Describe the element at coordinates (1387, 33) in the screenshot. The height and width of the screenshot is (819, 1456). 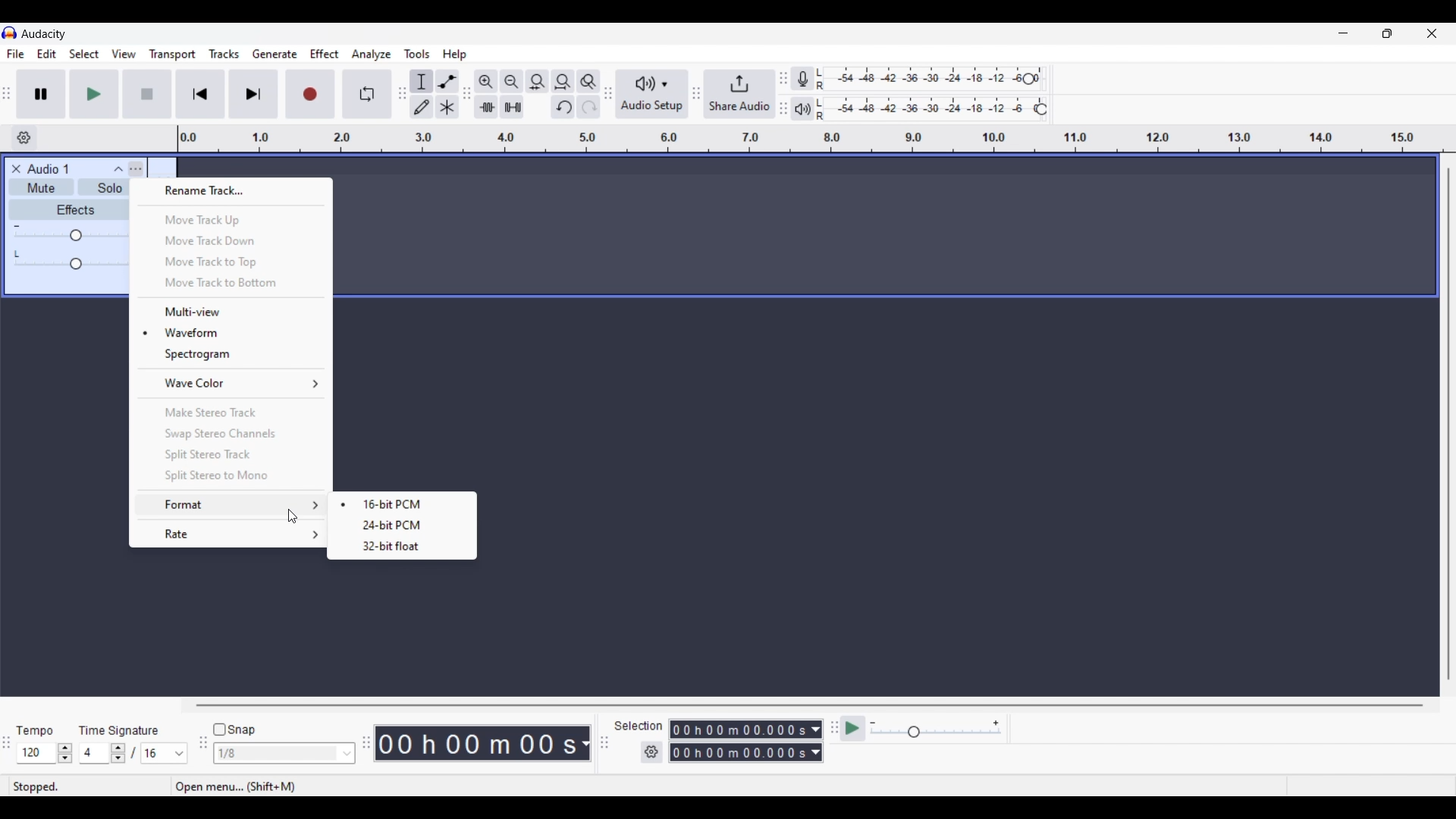
I see `Show interface in a smaller tab` at that location.